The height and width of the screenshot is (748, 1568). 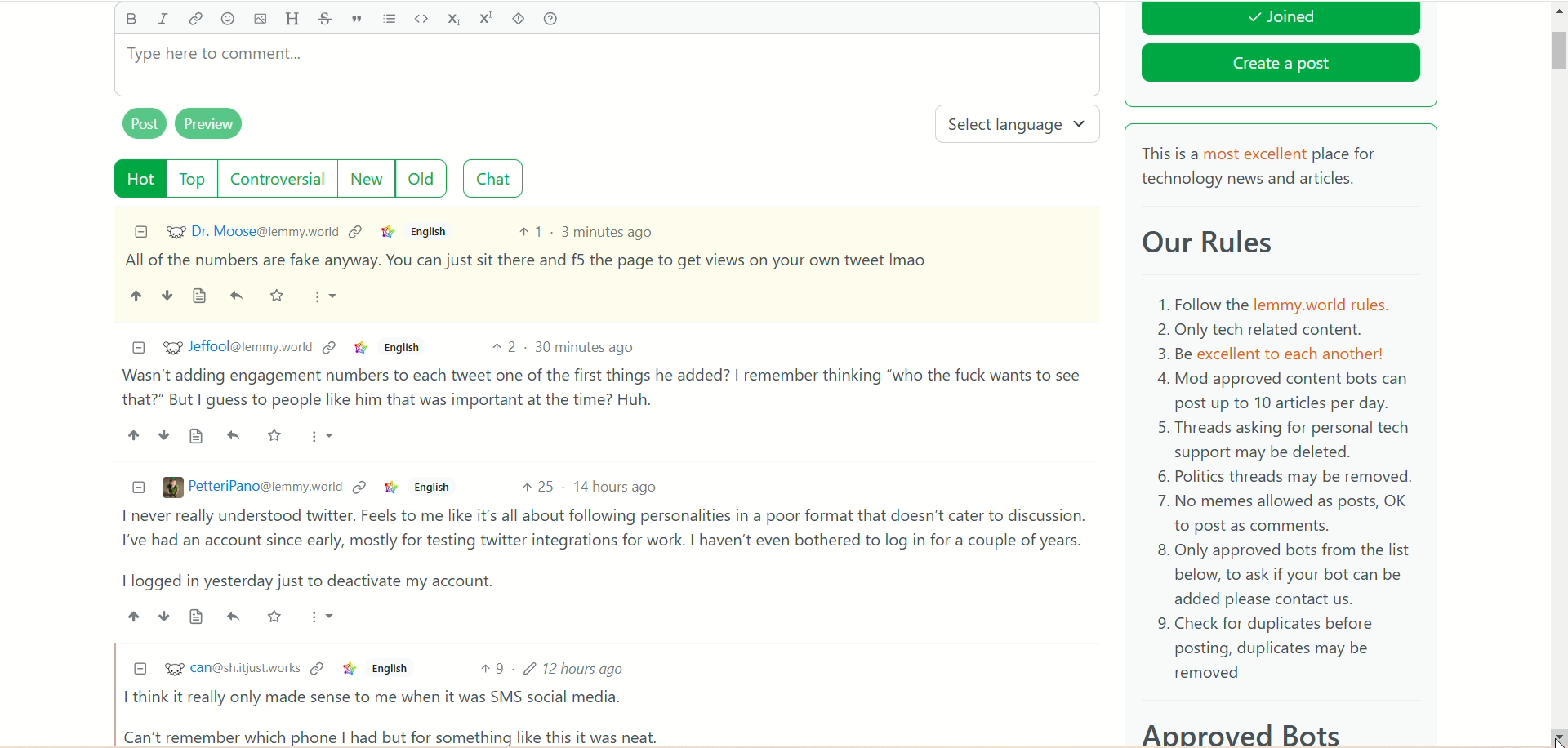 What do you see at coordinates (325, 435) in the screenshot?
I see `More` at bounding box center [325, 435].